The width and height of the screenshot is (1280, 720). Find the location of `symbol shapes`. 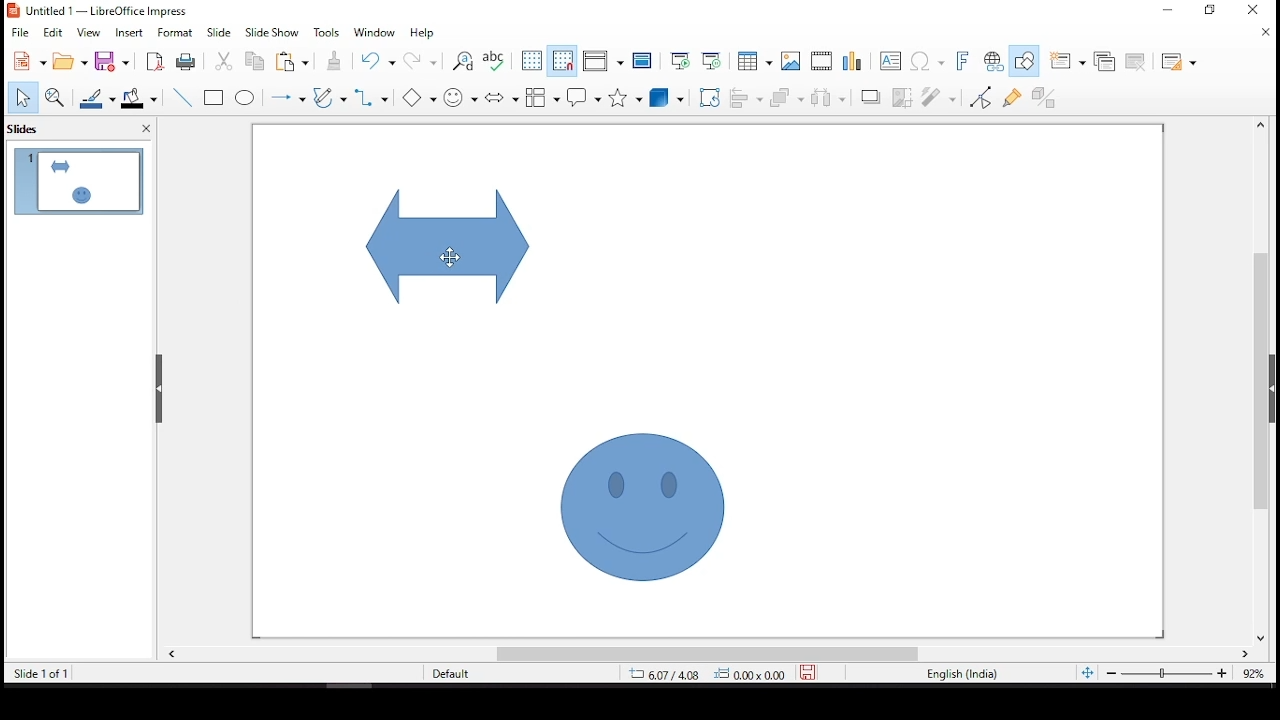

symbol shapes is located at coordinates (463, 96).